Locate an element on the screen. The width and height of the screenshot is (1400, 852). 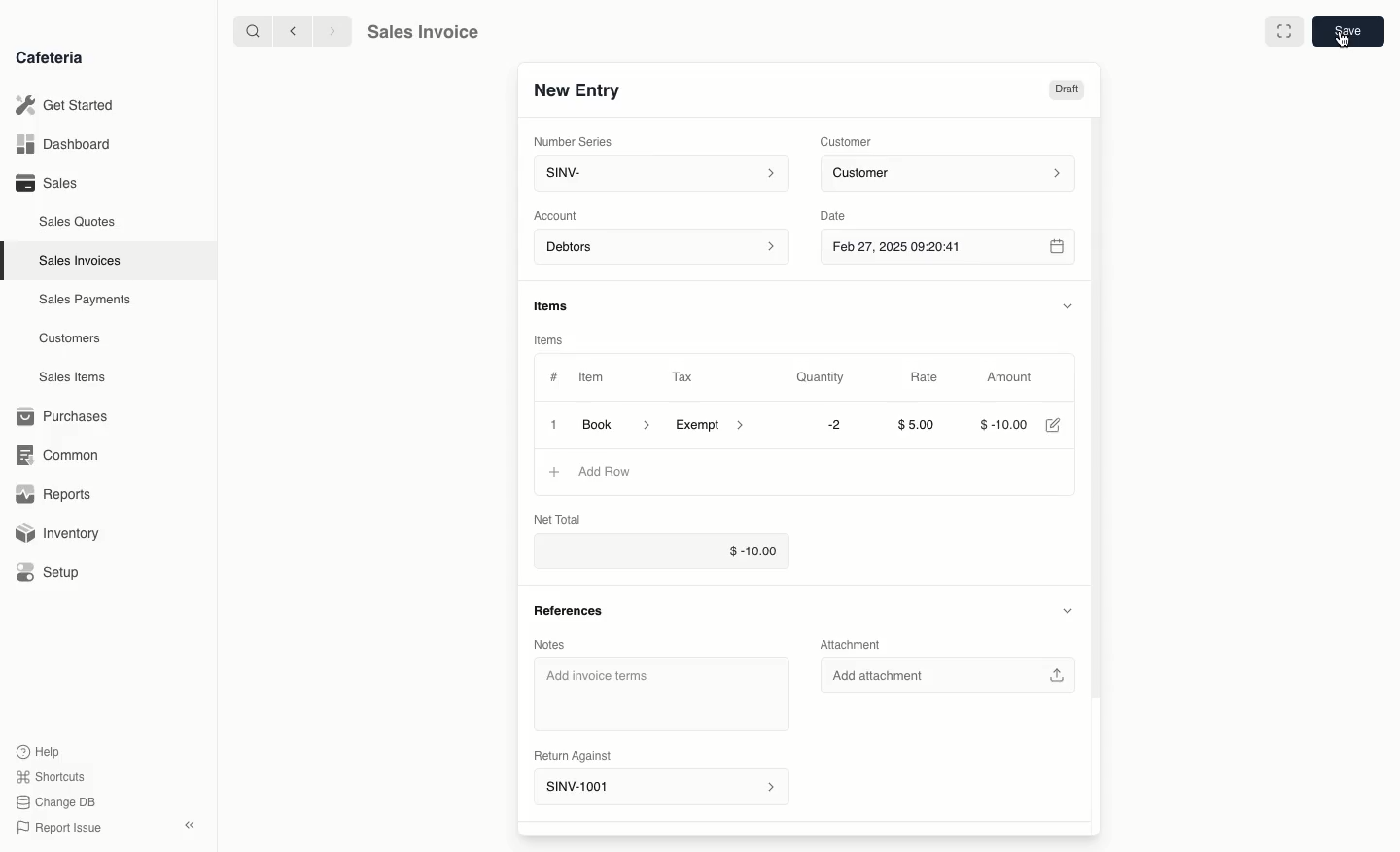
cursor is located at coordinates (1341, 46).